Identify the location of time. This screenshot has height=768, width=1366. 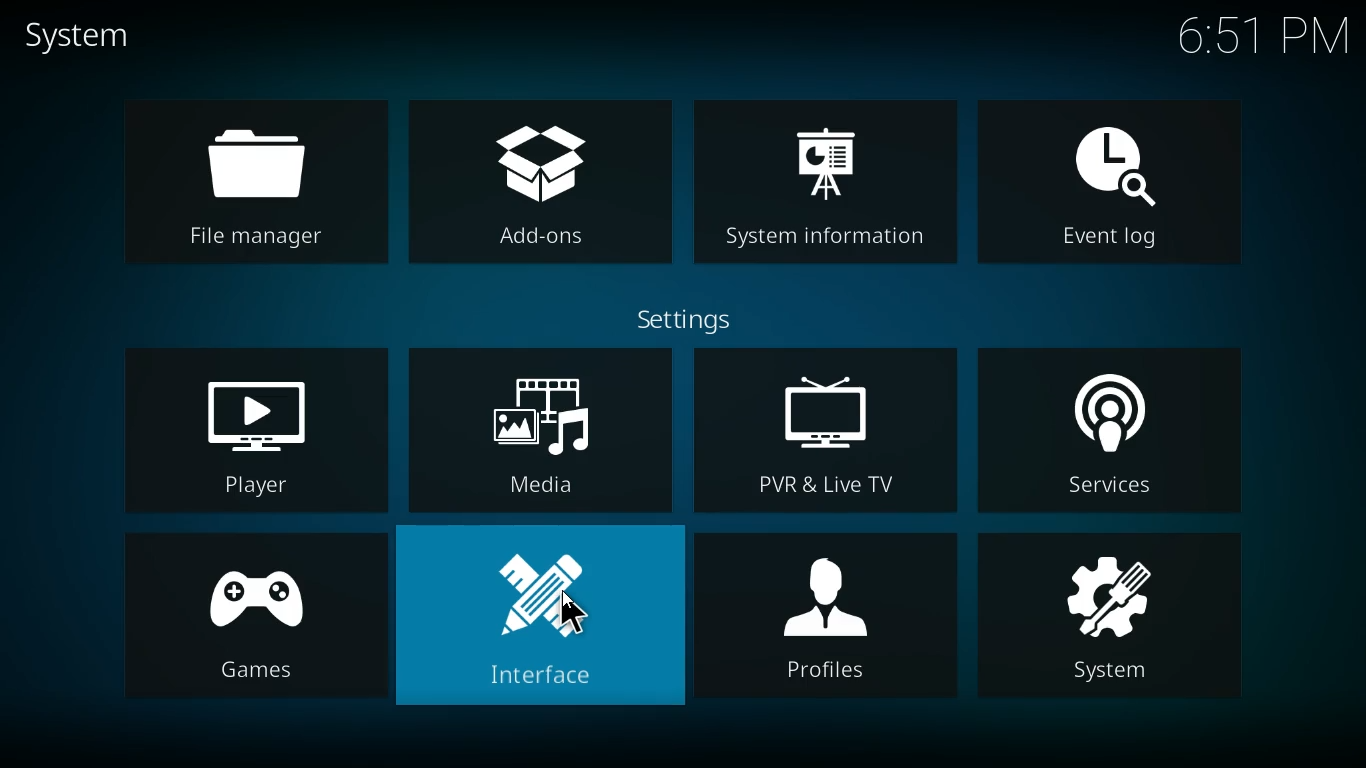
(1256, 40).